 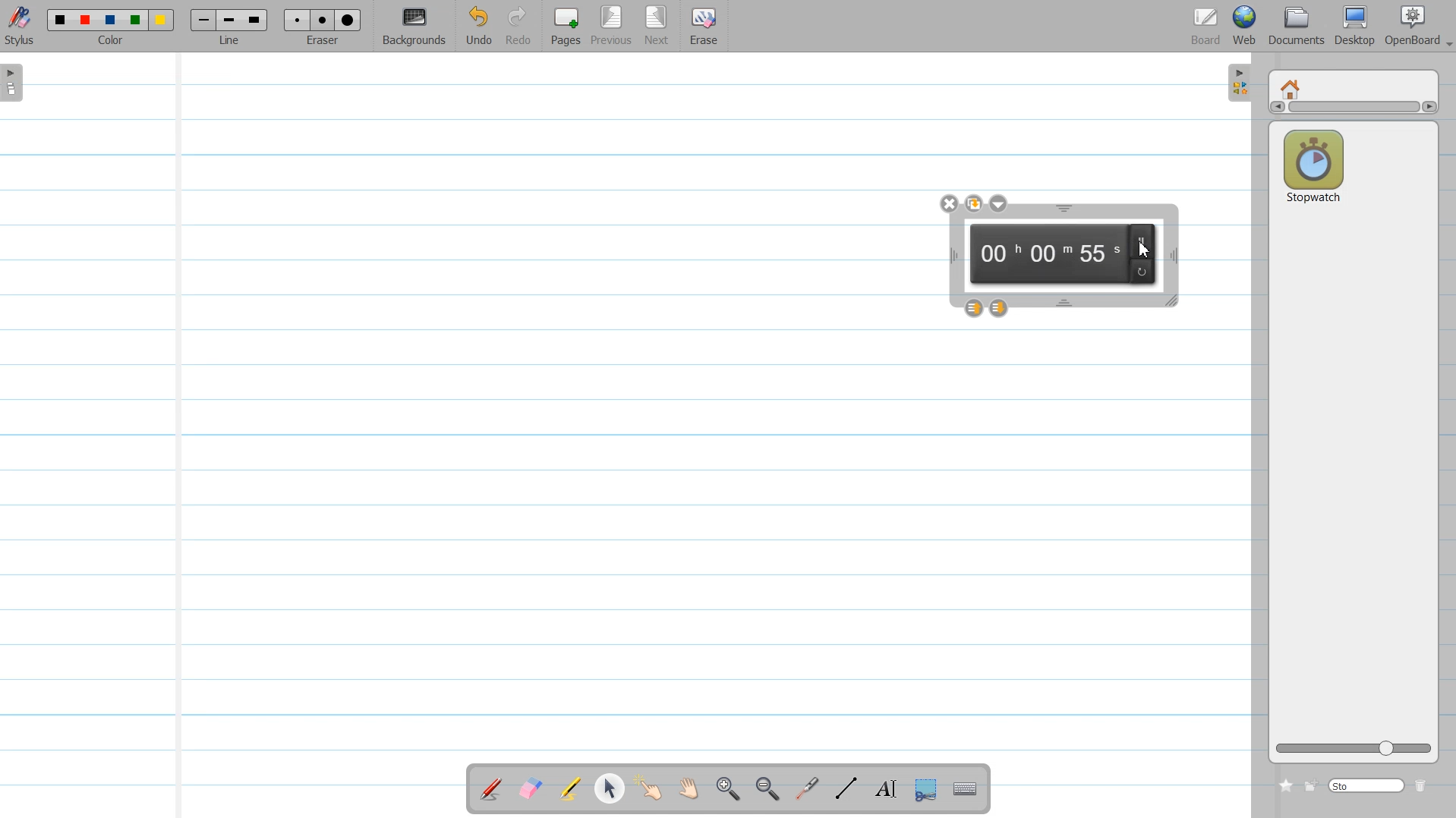 What do you see at coordinates (1049, 256) in the screenshot?
I see `00` at bounding box center [1049, 256].